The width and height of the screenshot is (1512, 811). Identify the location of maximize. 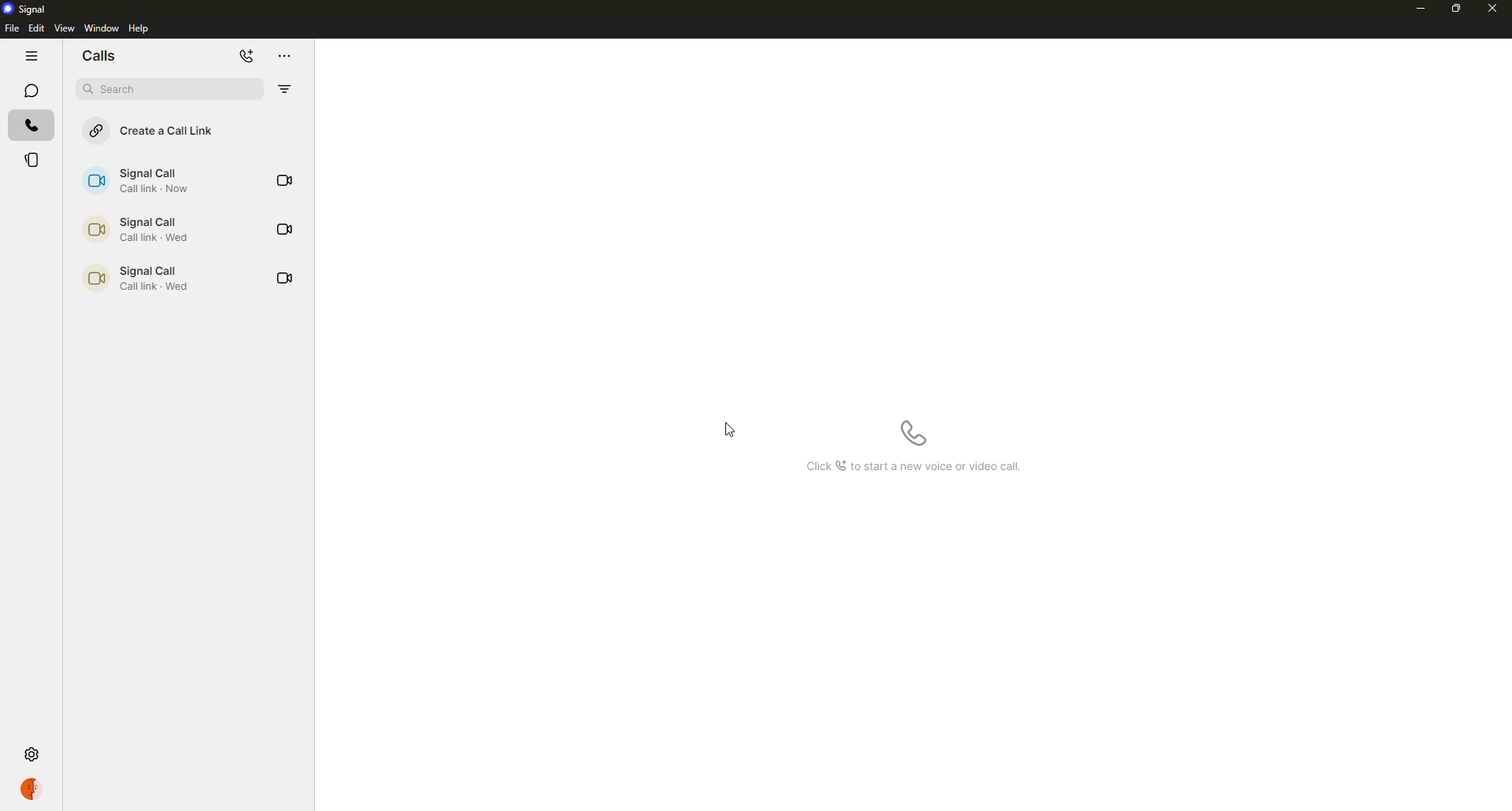
(1455, 9).